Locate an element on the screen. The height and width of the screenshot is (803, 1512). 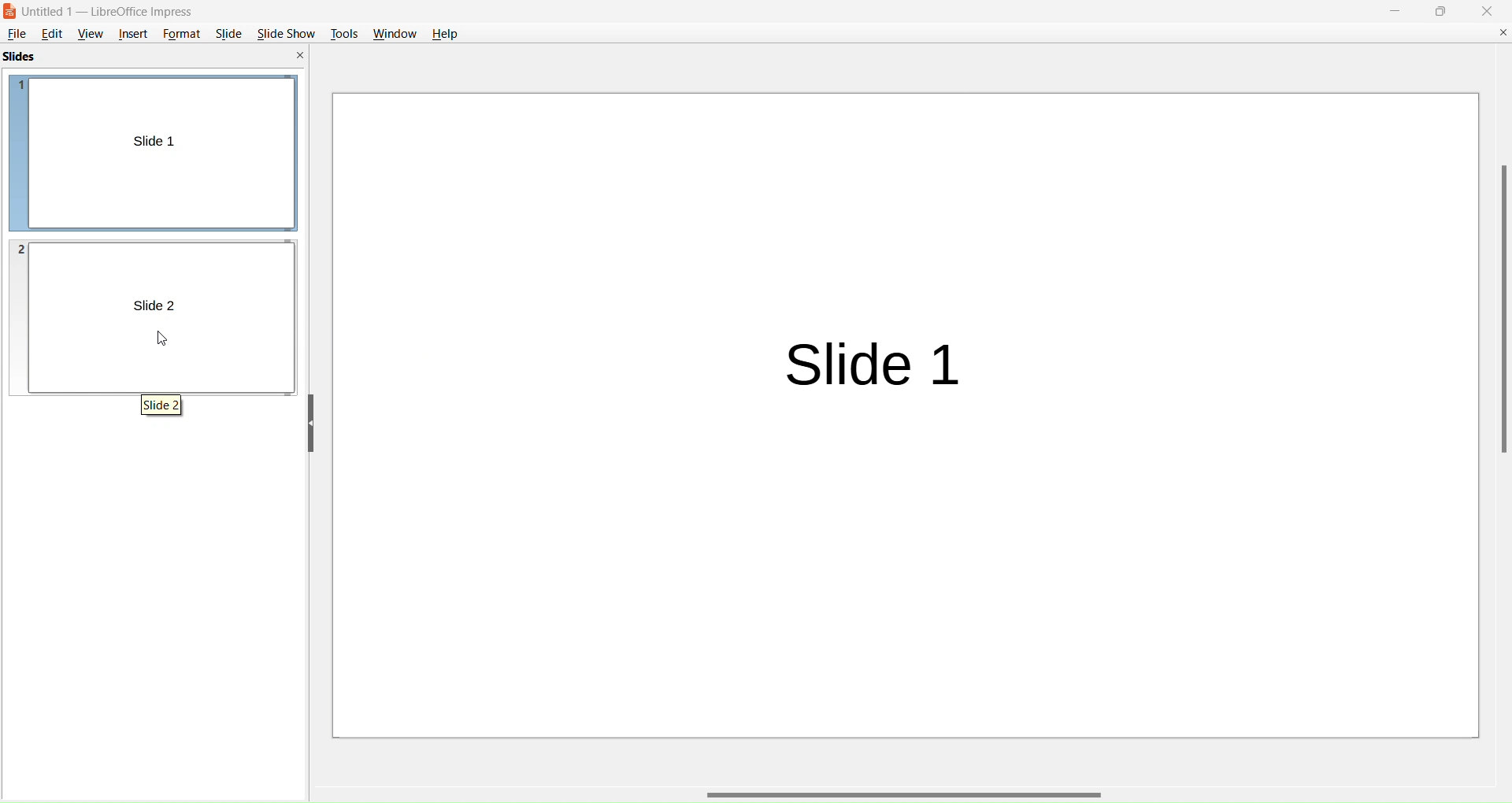
help is located at coordinates (447, 33).